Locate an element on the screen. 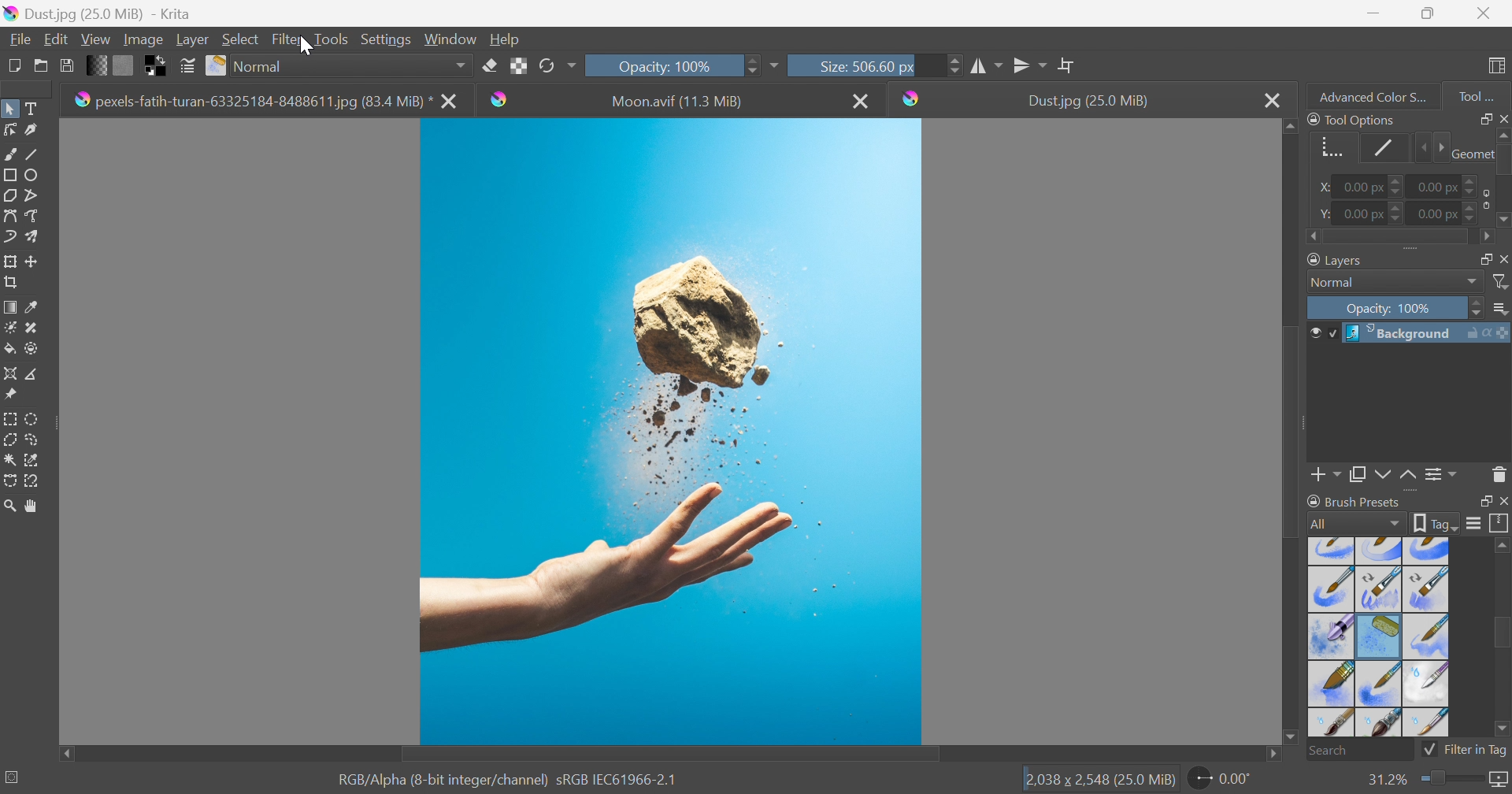  Dust.jpg (25.0 MB) is located at coordinates (97, 13).